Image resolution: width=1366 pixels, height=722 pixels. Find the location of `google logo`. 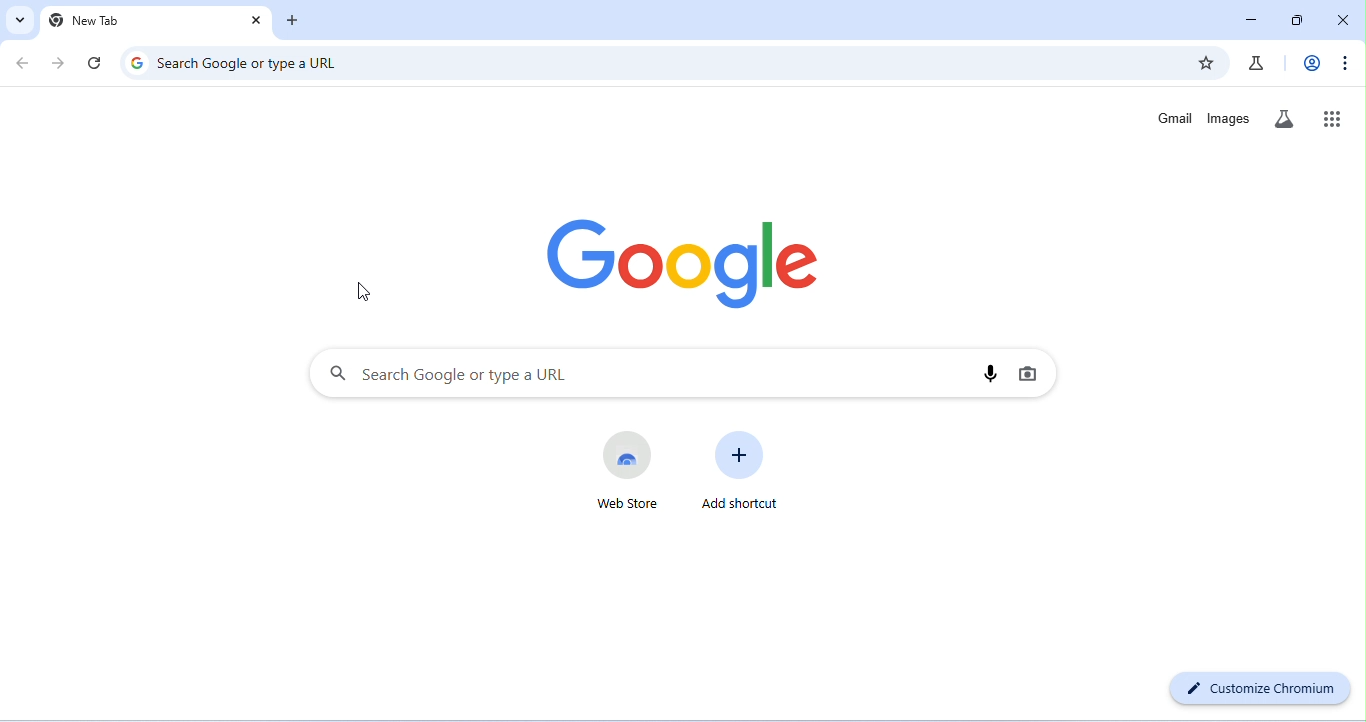

google logo is located at coordinates (674, 255).